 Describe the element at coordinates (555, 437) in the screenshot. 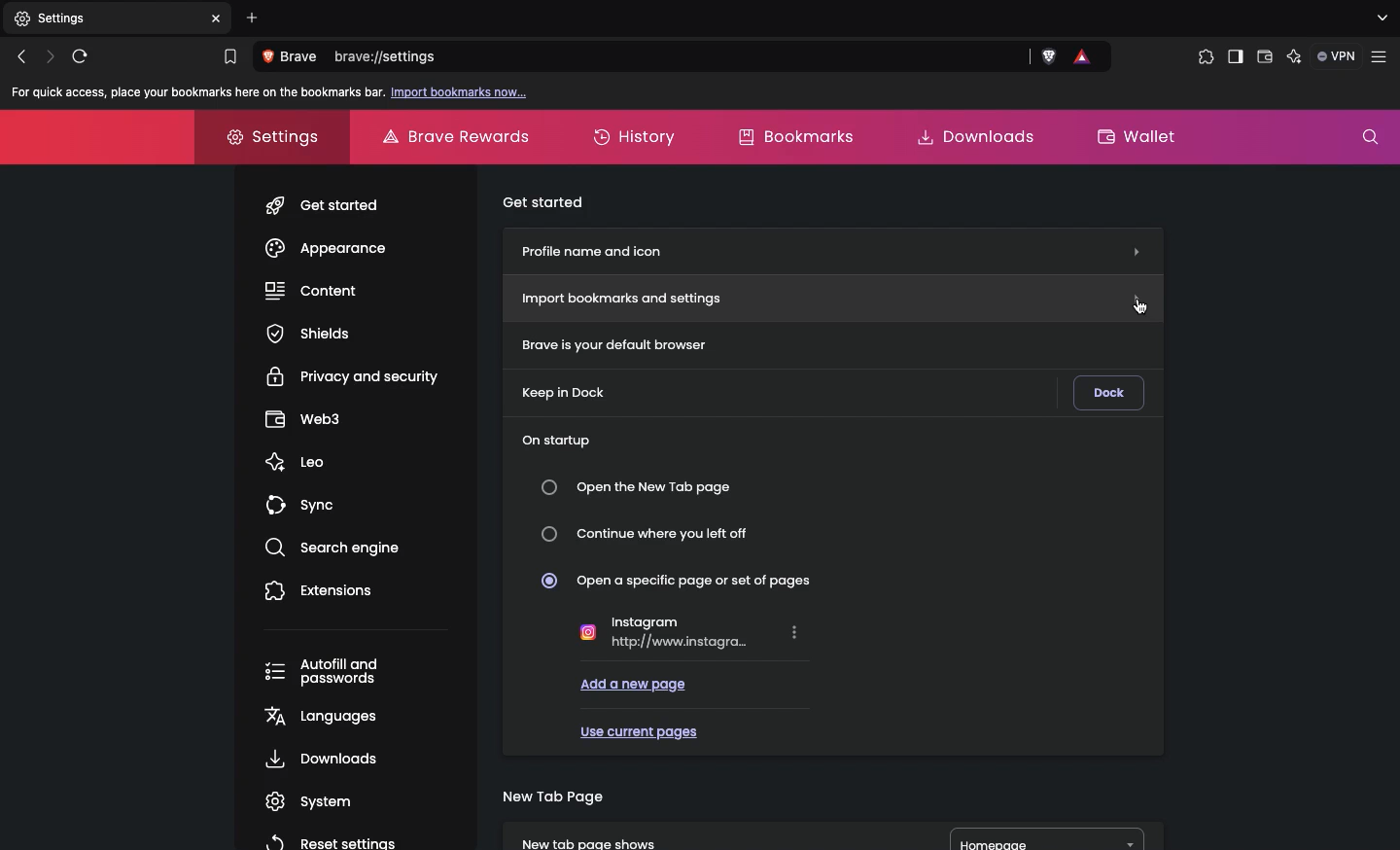

I see `On start up` at that location.